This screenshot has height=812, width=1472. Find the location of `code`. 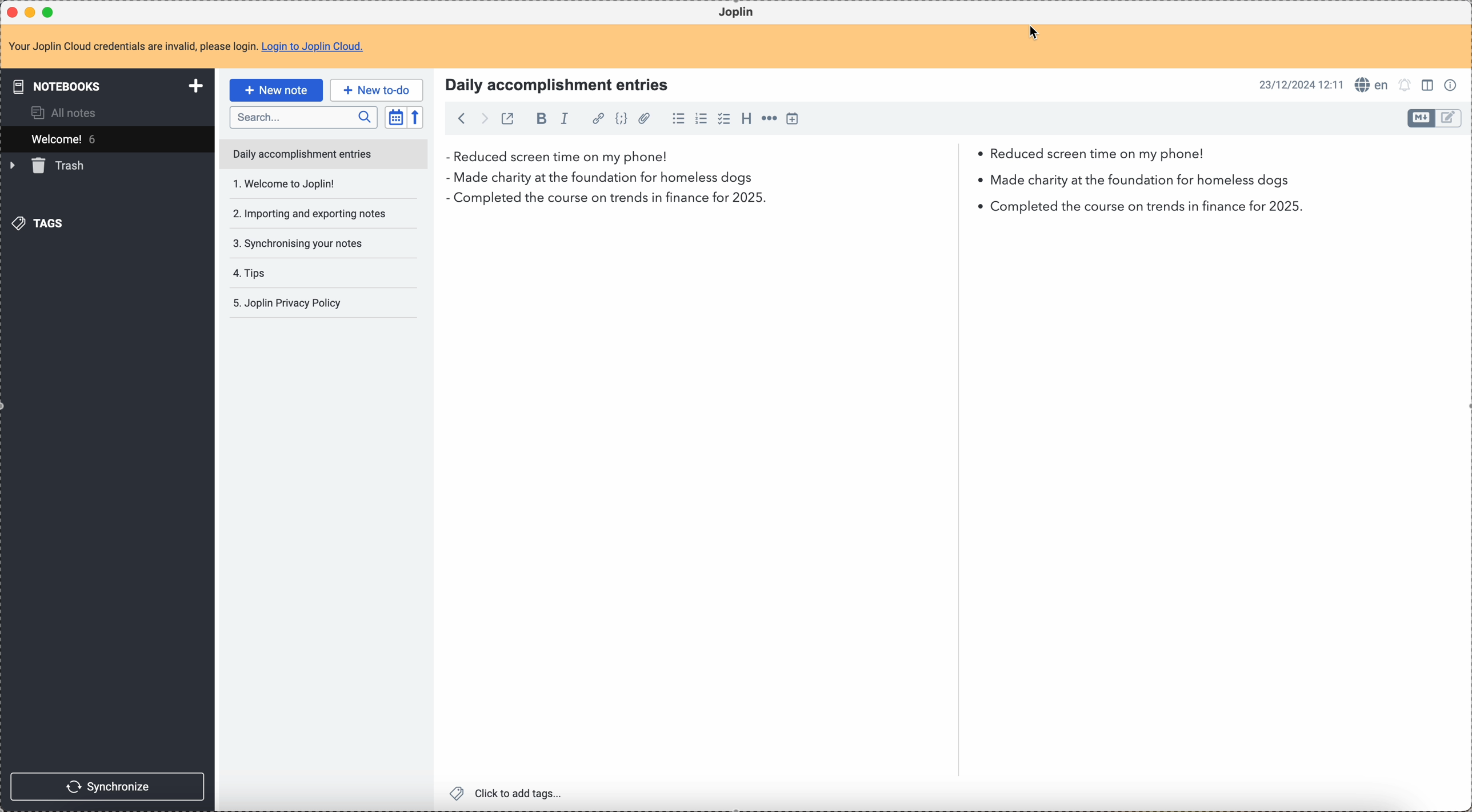

code is located at coordinates (621, 119).